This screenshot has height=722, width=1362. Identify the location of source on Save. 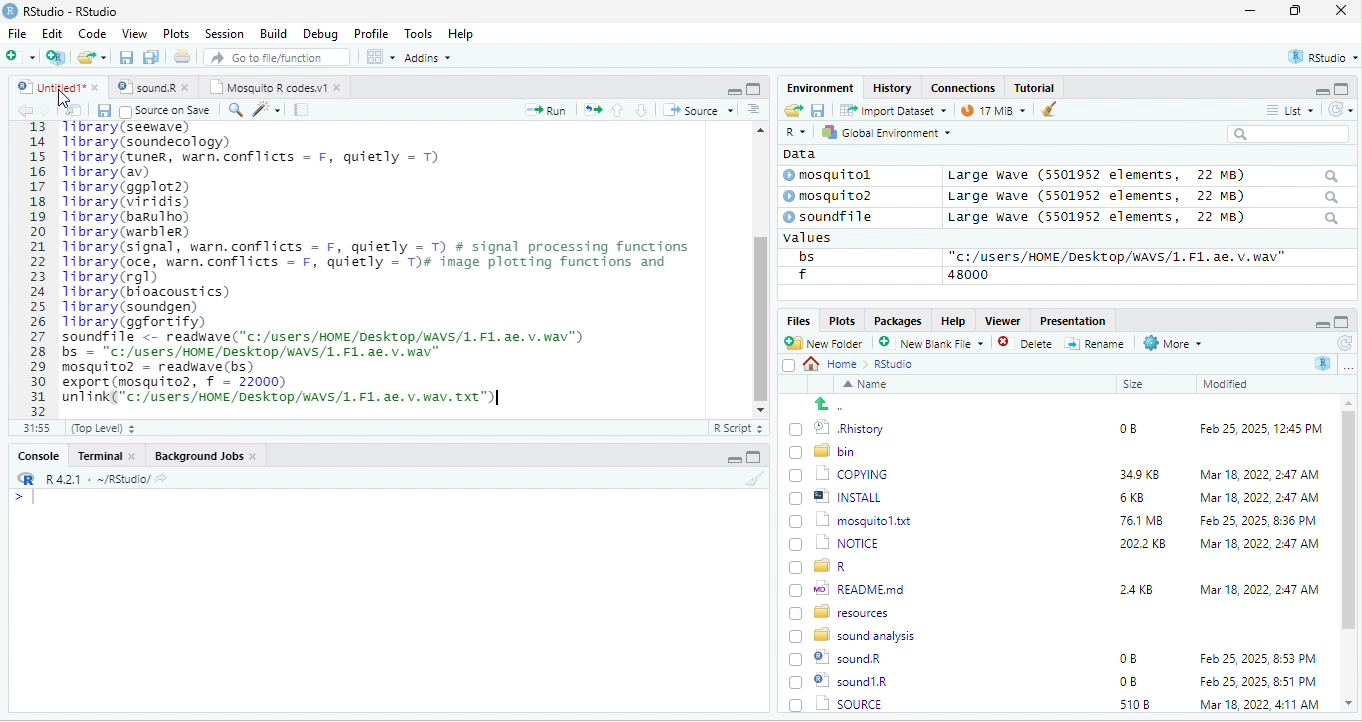
(167, 112).